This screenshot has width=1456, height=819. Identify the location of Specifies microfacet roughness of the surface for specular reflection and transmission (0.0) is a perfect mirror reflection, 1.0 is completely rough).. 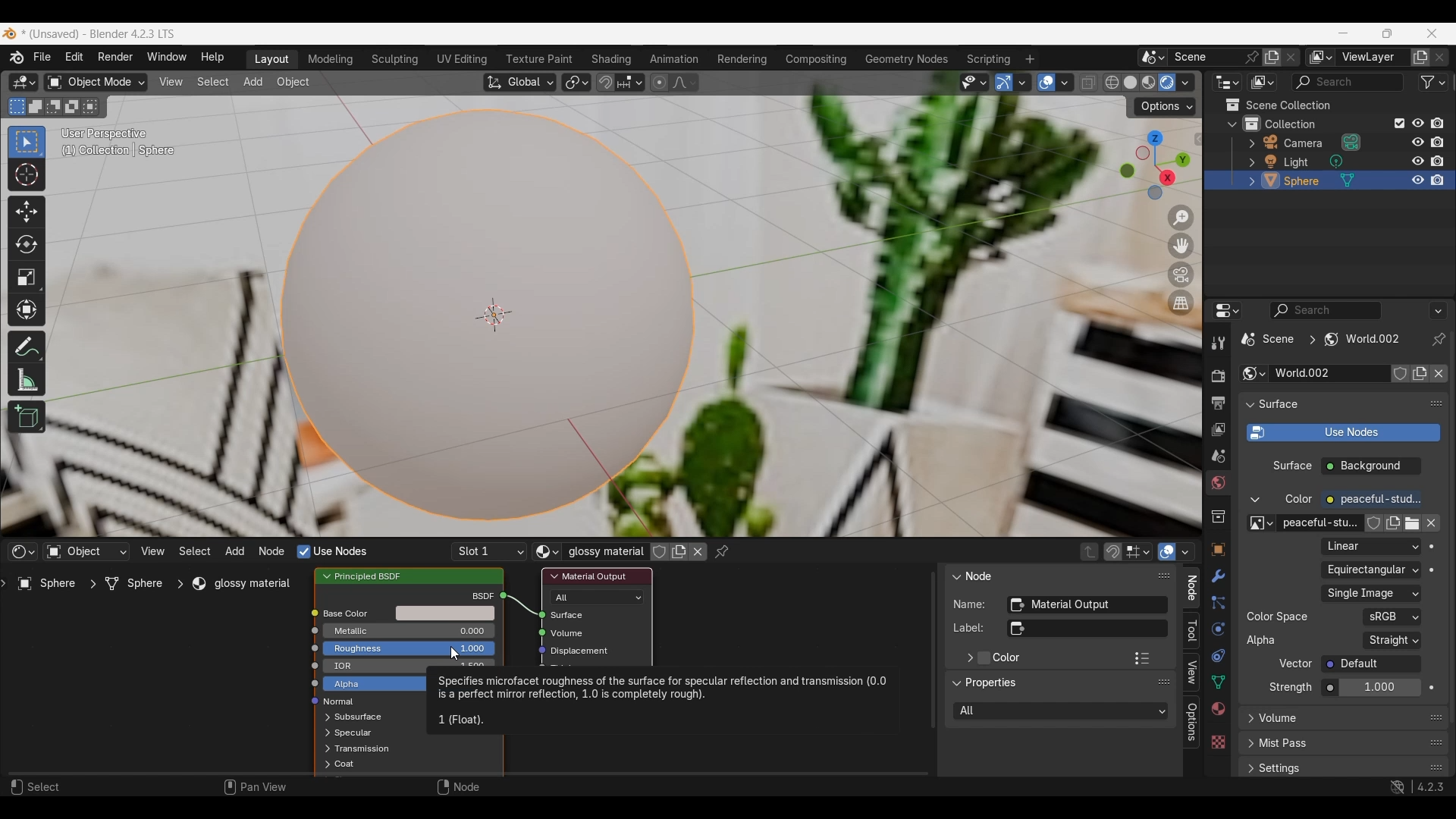
(666, 688).